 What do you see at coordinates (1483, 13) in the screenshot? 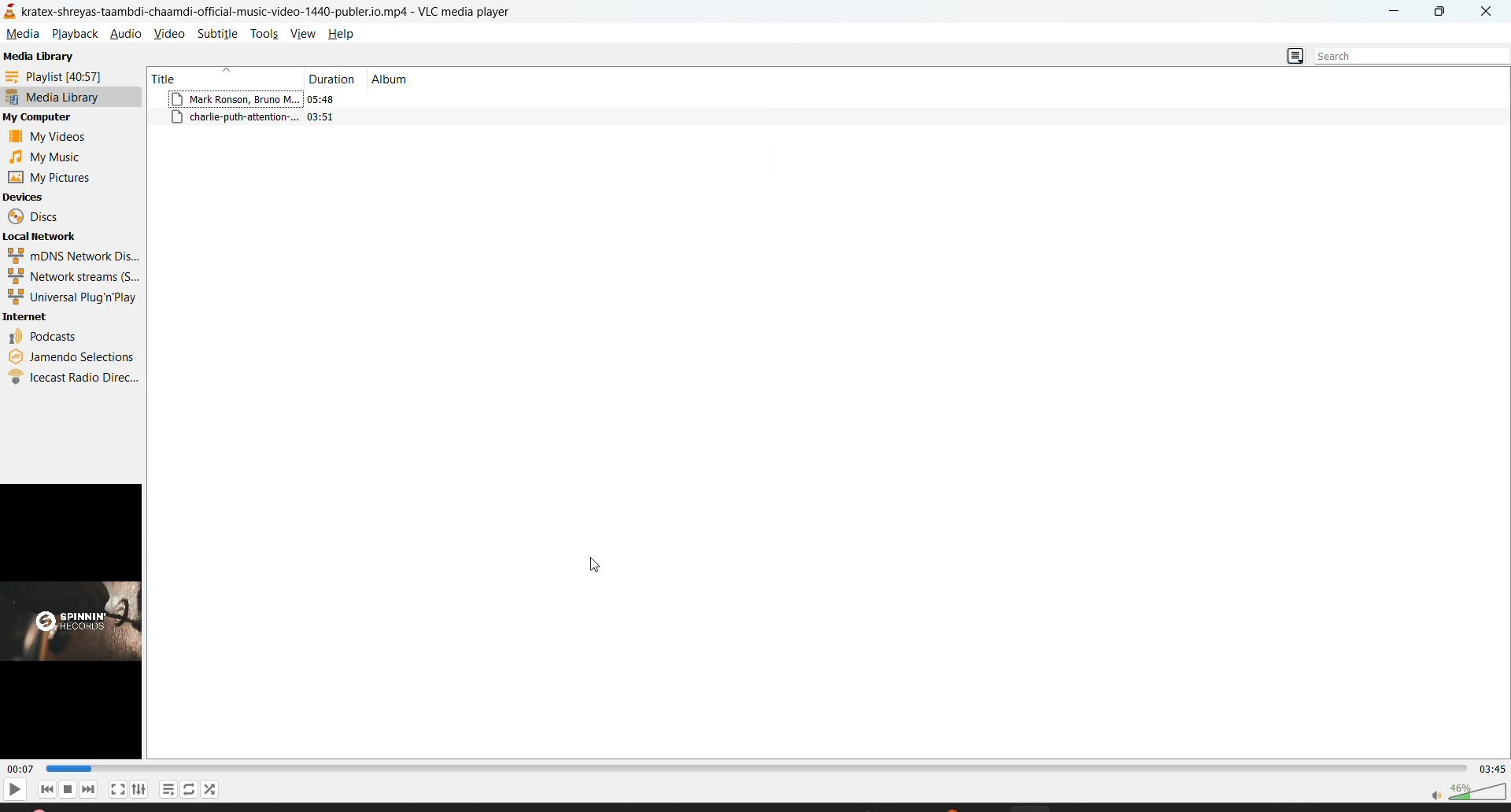
I see `close` at bounding box center [1483, 13].